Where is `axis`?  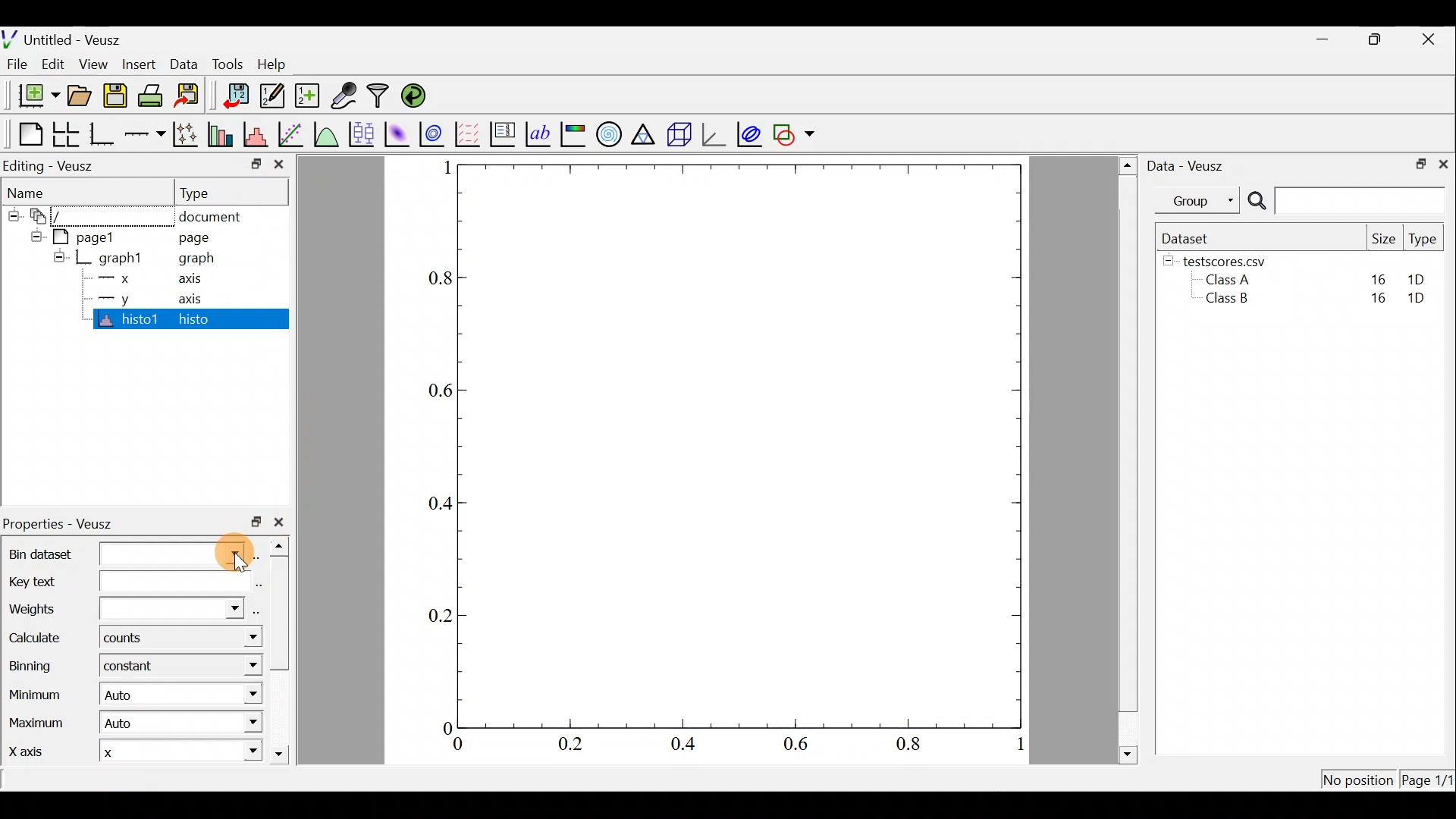
axis is located at coordinates (195, 300).